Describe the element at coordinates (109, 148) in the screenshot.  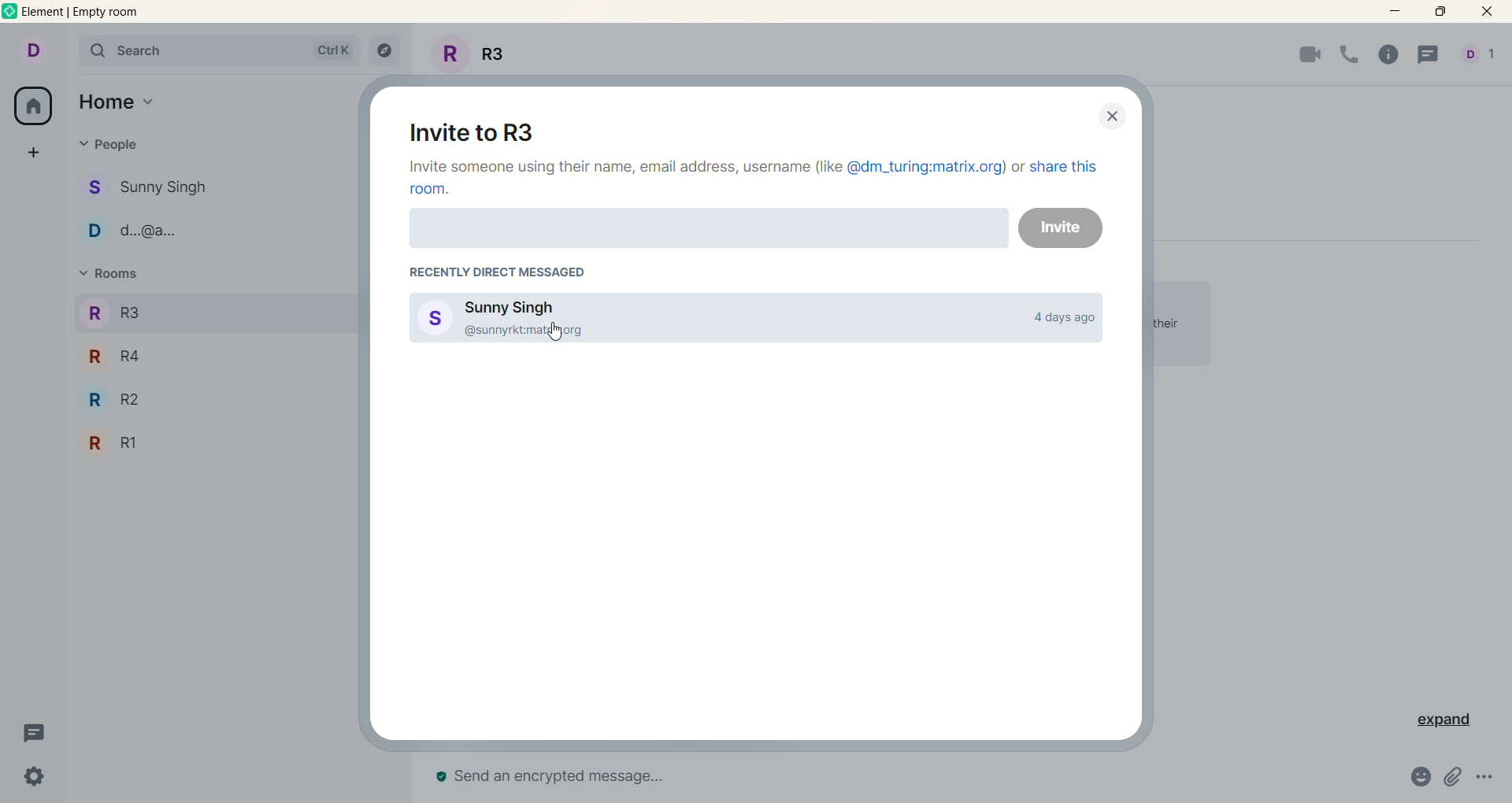
I see `people` at that location.